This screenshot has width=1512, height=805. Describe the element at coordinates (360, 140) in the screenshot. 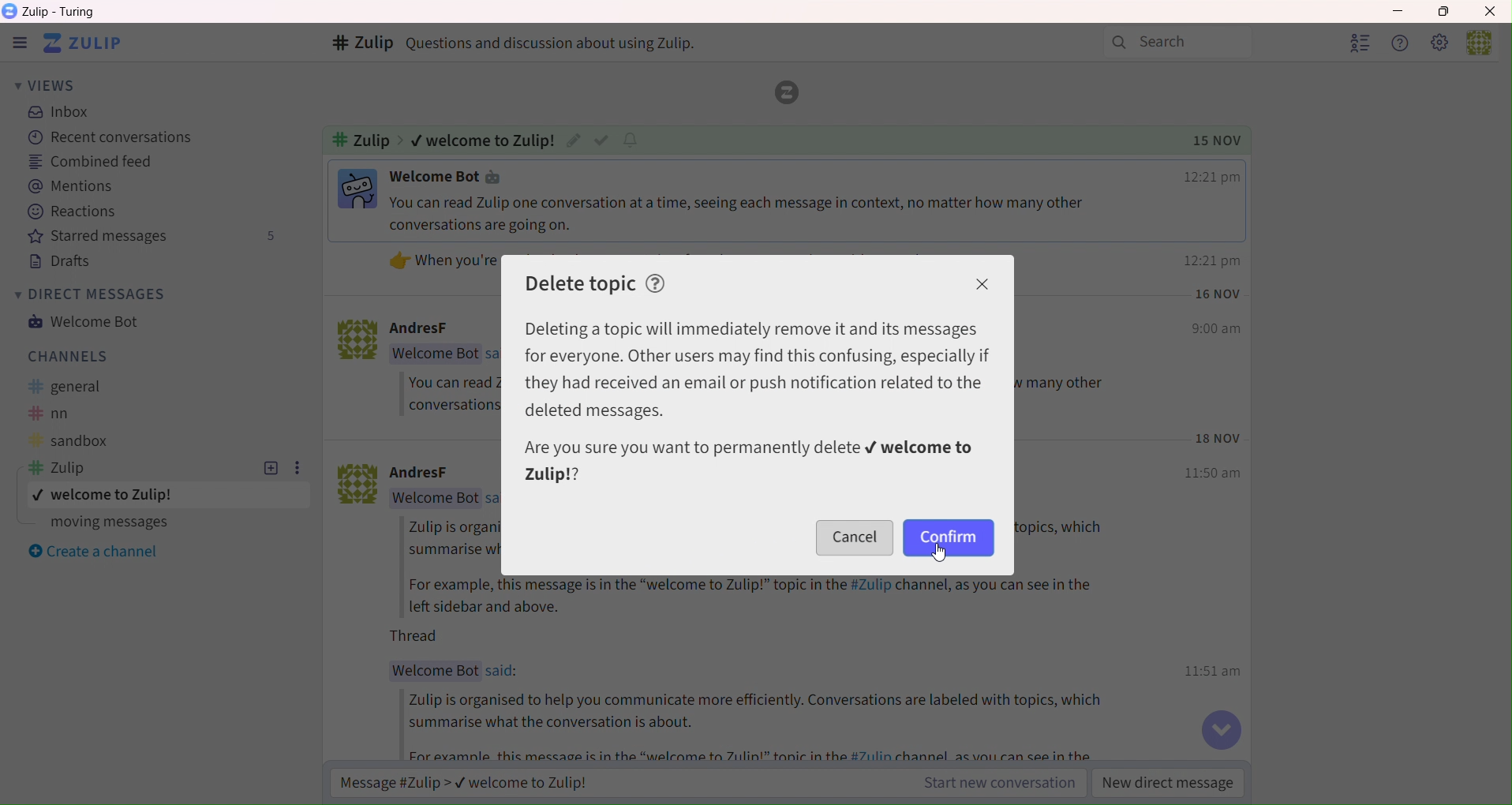

I see `Text` at that location.